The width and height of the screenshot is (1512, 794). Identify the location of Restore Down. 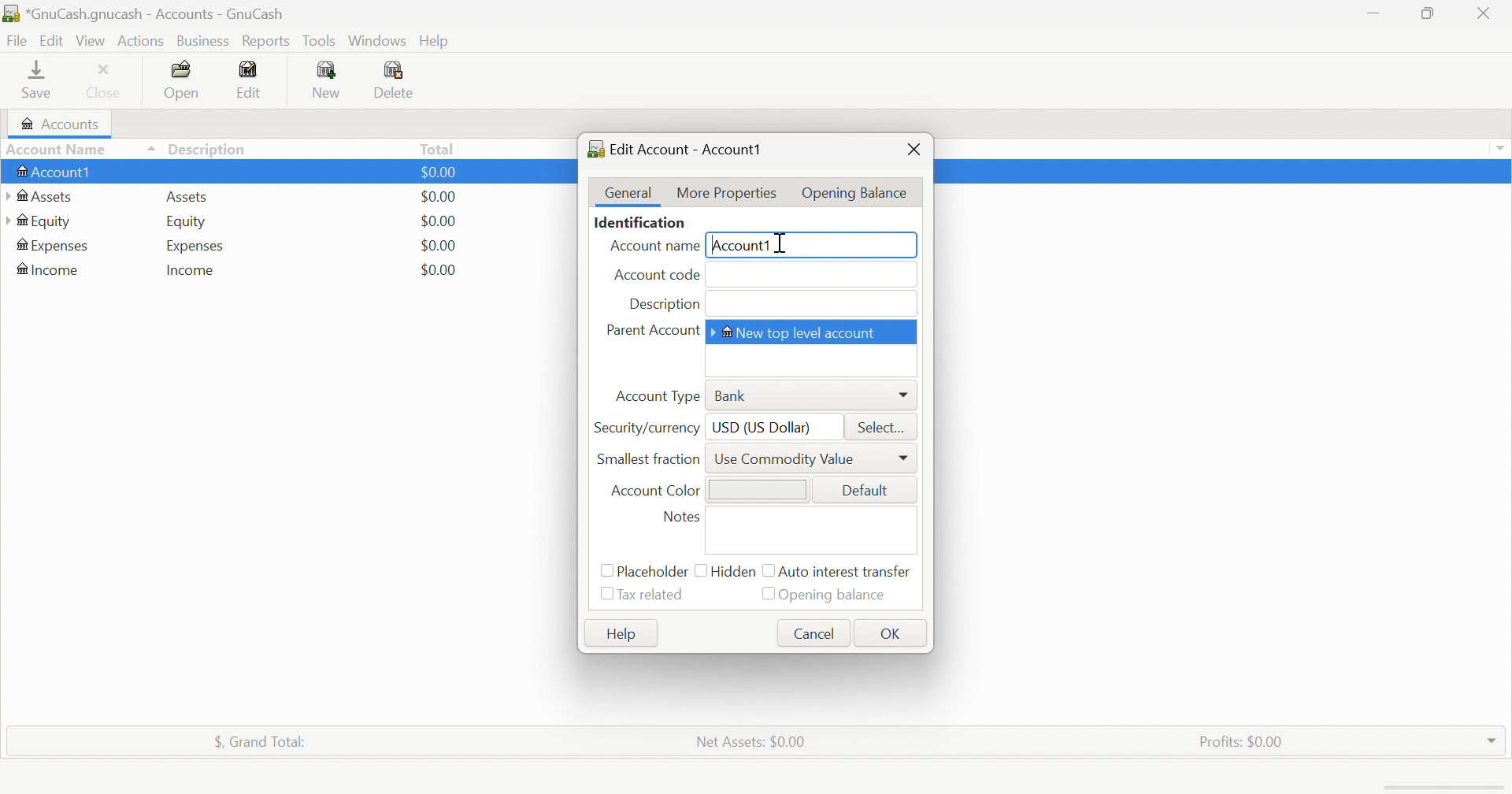
(1429, 13).